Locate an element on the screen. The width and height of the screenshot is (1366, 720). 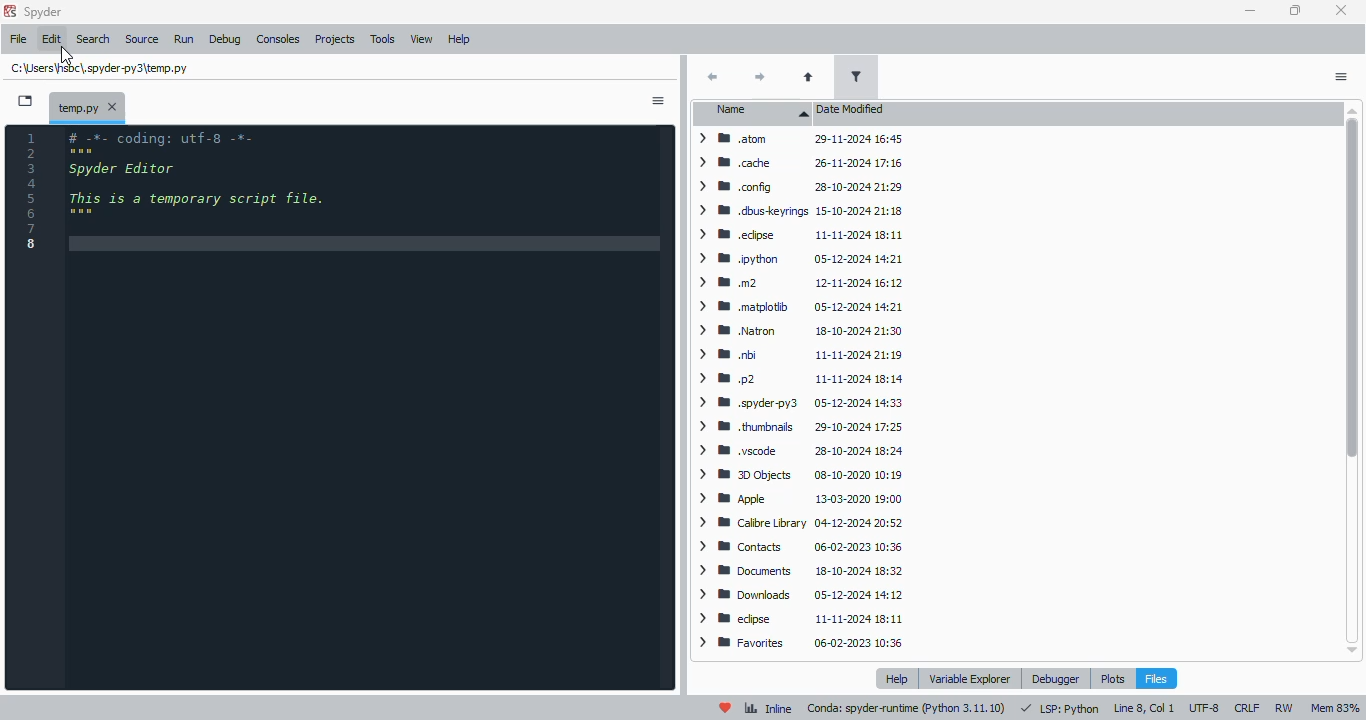
> WM spyderpy3 05-12-2024 14:33 is located at coordinates (799, 403).